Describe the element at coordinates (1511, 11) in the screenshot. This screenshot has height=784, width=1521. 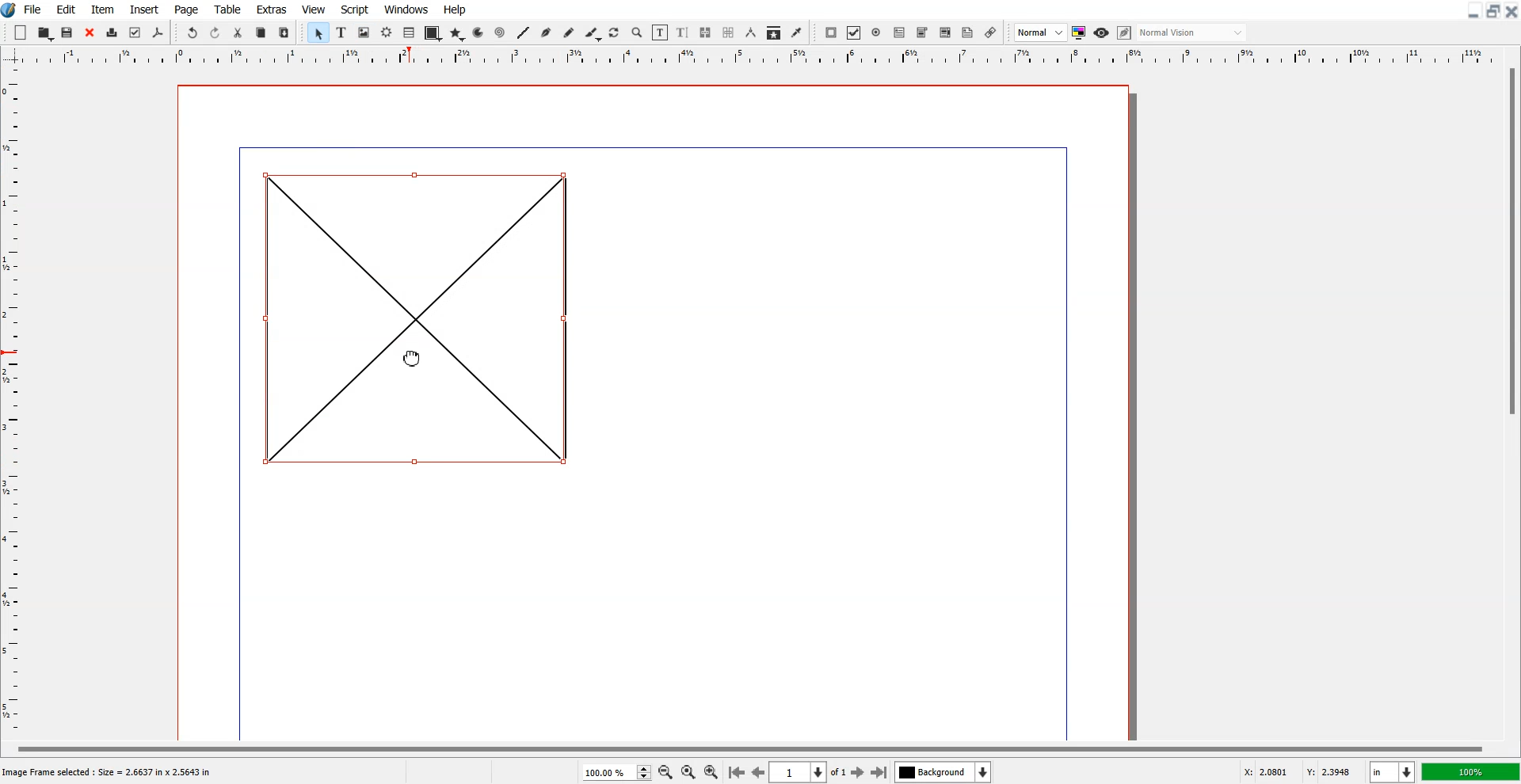
I see `Close` at that location.